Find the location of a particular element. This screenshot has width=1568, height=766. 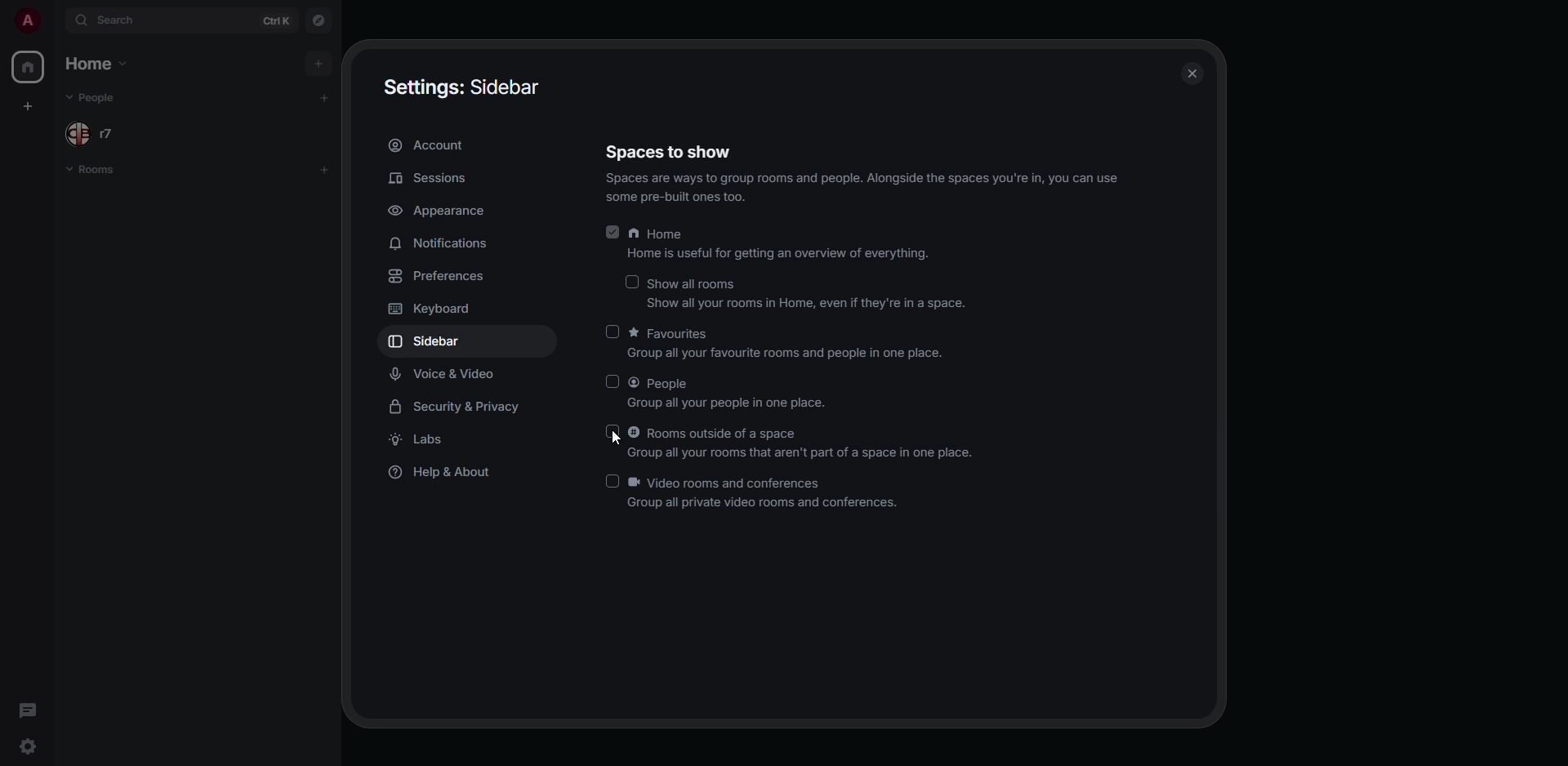

enabled is located at coordinates (612, 229).